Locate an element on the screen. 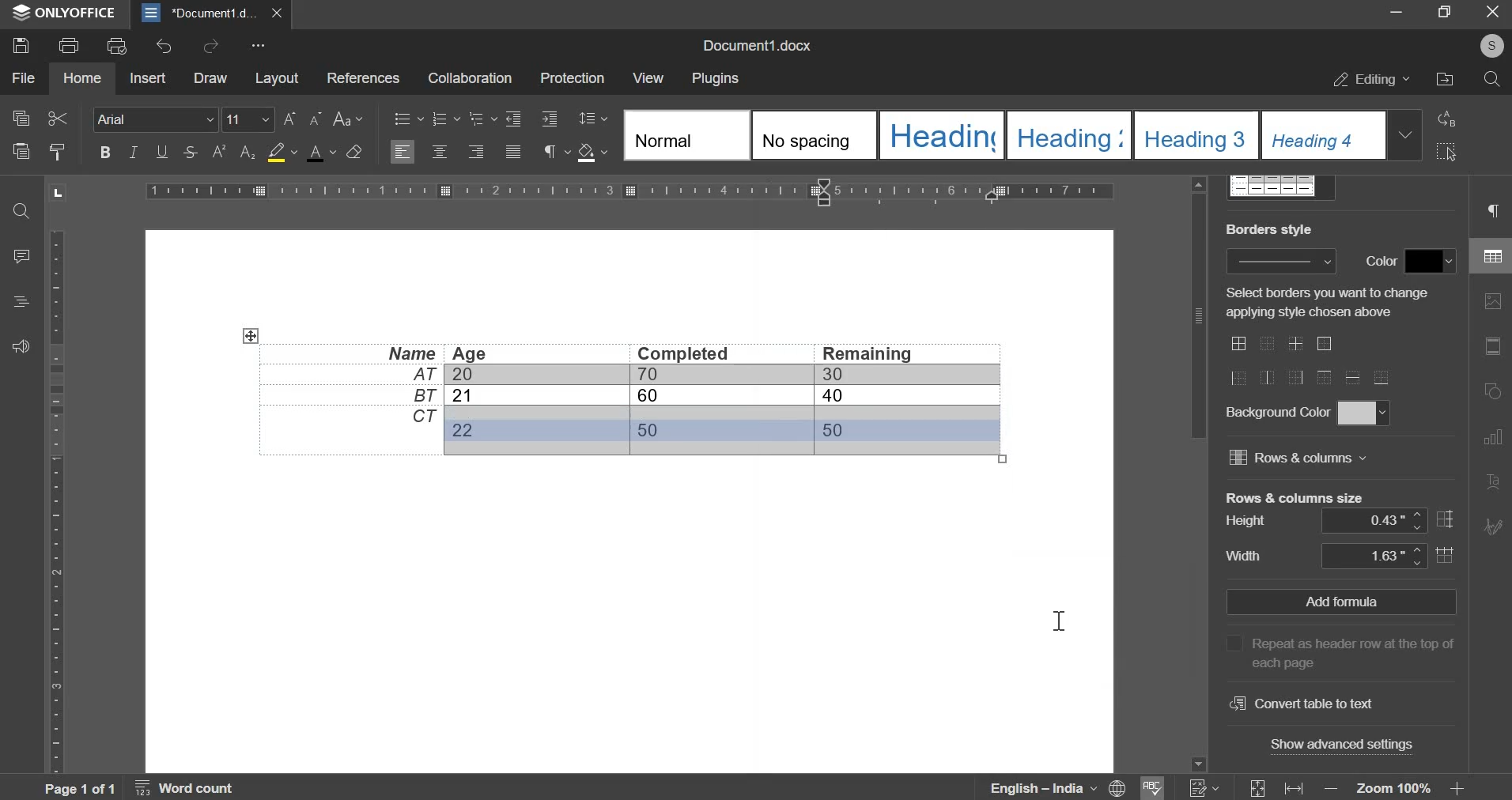 The height and width of the screenshot is (800, 1512). vertical slider is located at coordinates (1196, 472).